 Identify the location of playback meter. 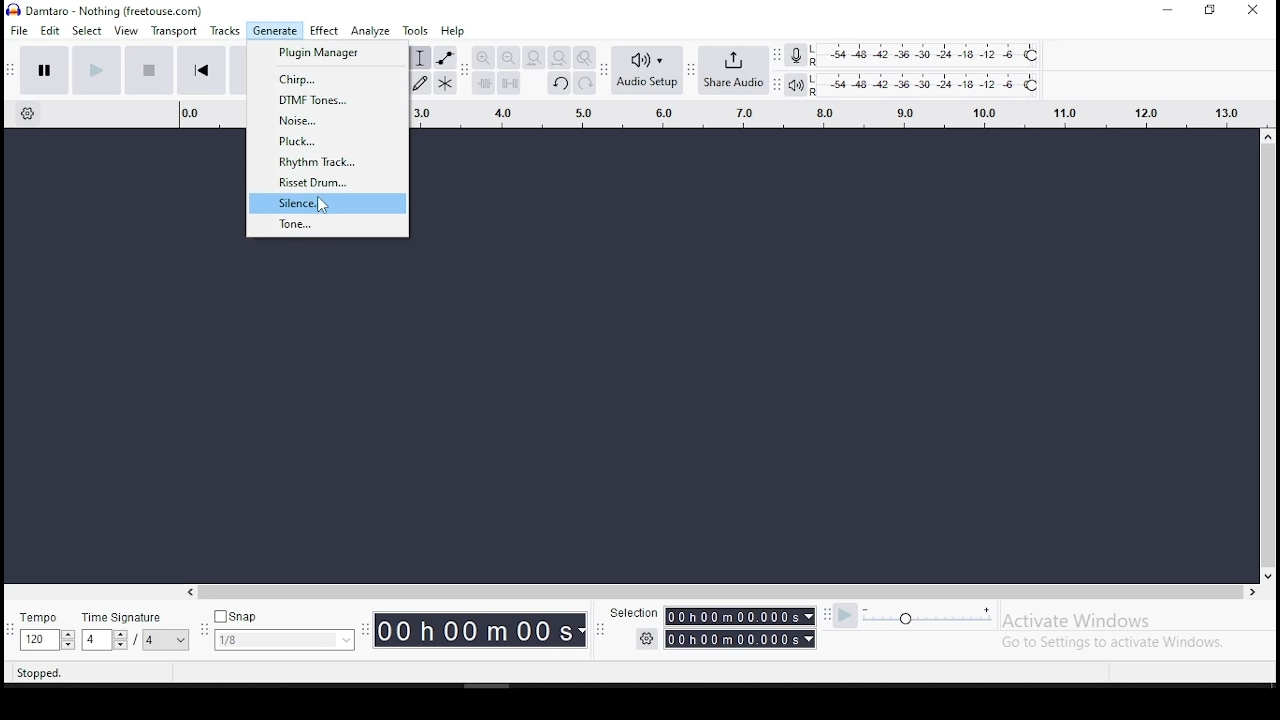
(794, 86).